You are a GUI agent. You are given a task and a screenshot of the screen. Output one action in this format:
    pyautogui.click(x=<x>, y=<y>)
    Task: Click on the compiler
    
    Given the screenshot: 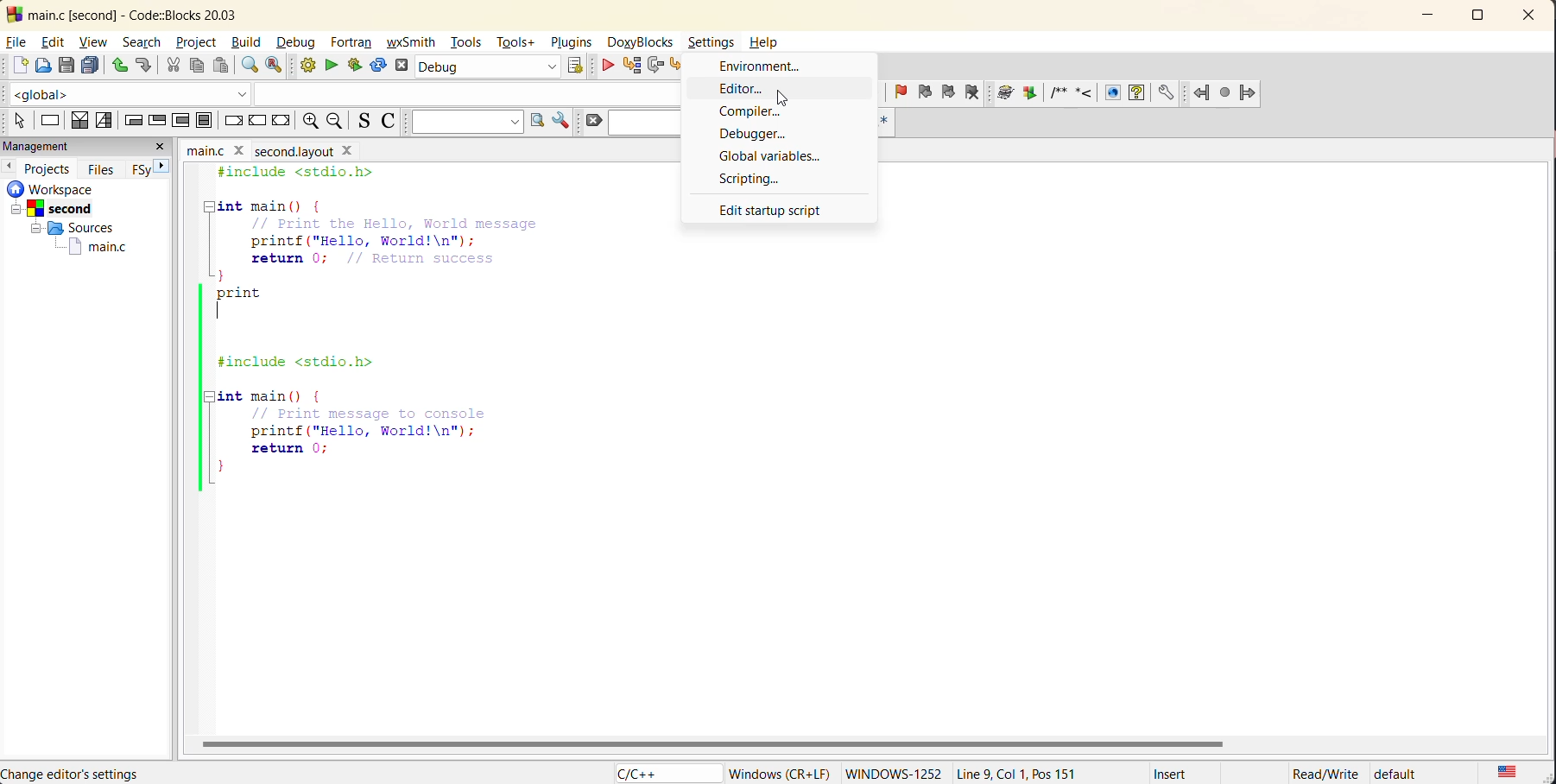 What is the action you would take?
    pyautogui.click(x=761, y=111)
    